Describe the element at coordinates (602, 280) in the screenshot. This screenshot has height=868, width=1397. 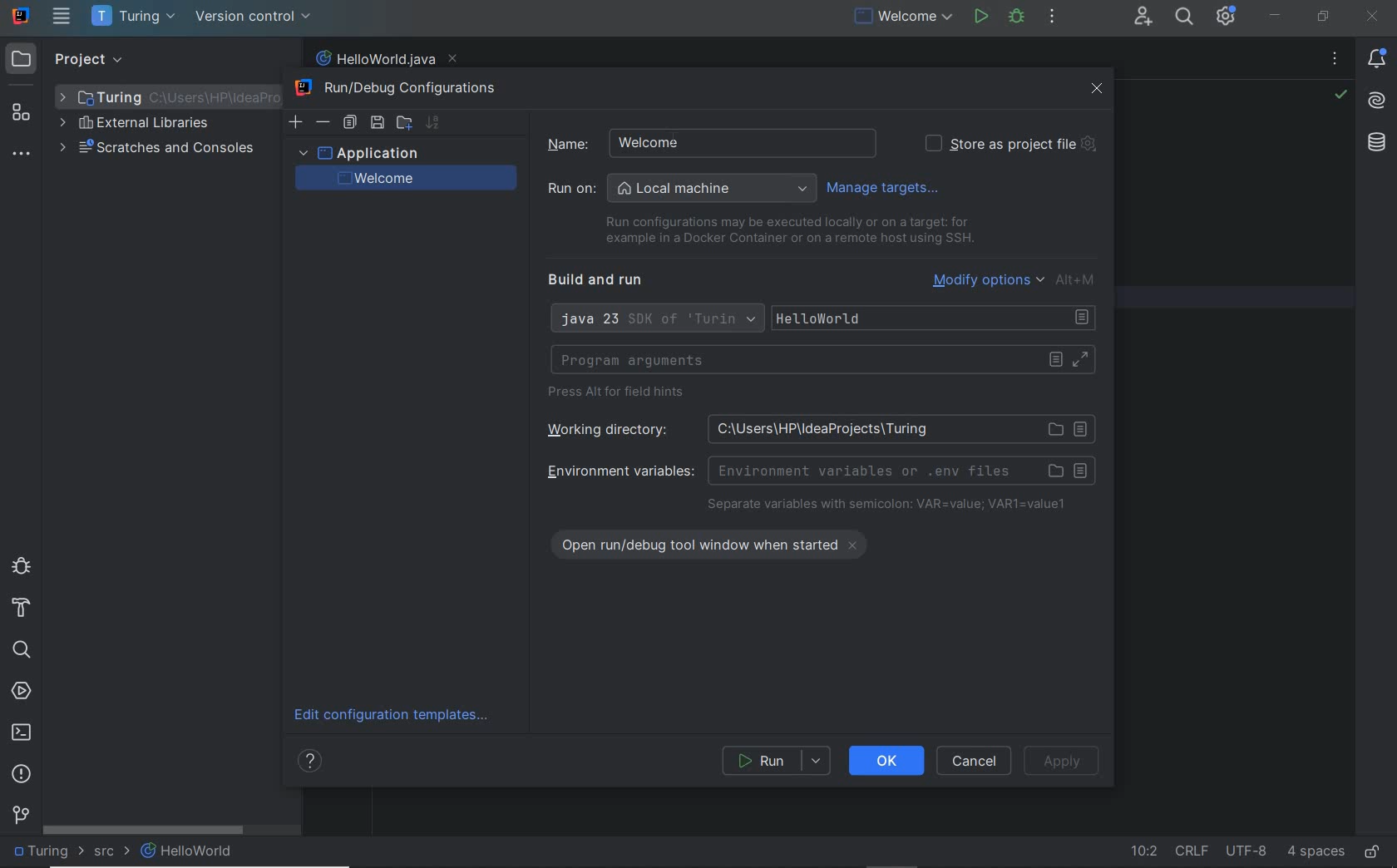
I see `Build and Run` at that location.